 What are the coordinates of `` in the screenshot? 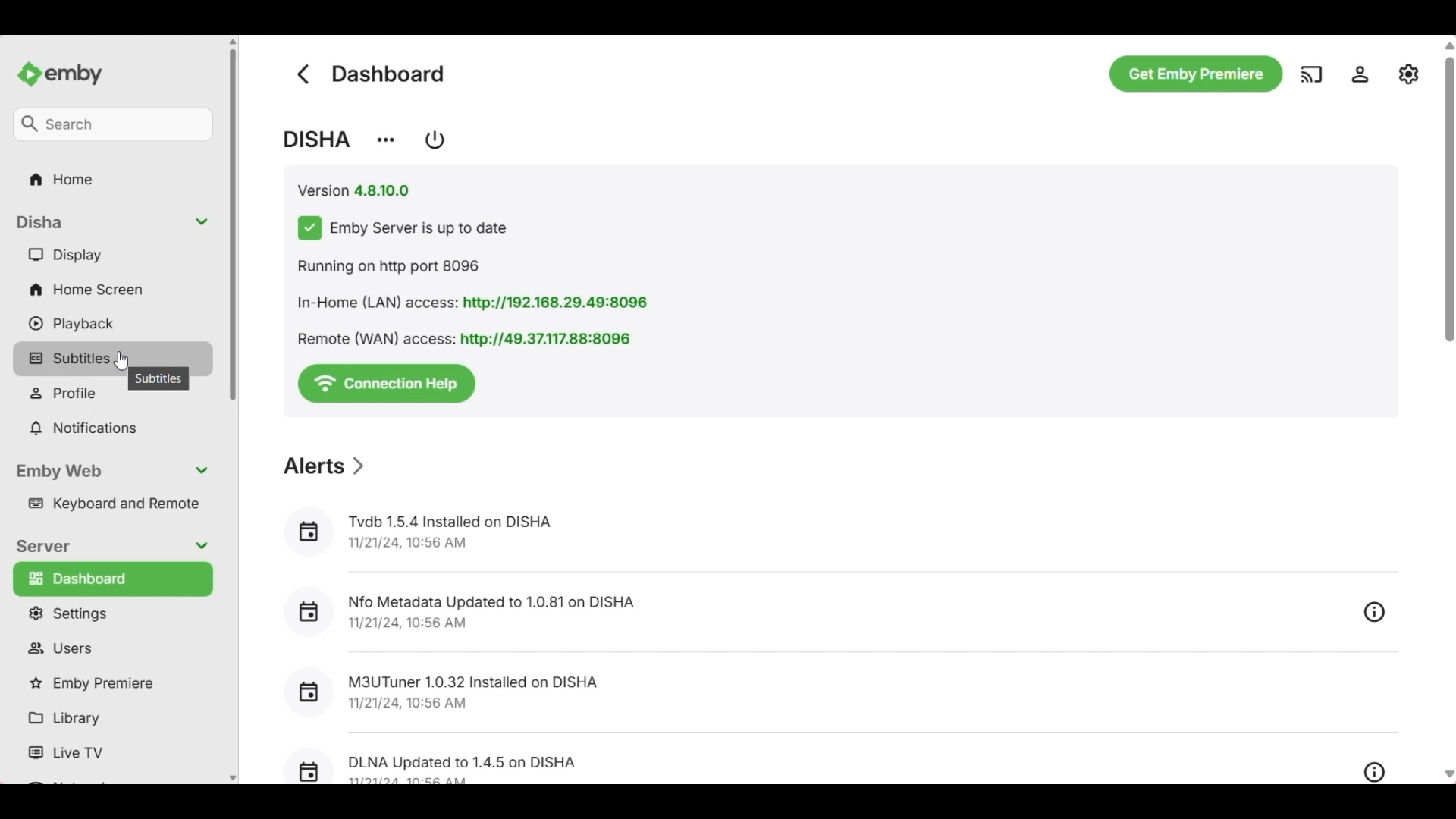 It's located at (111, 122).